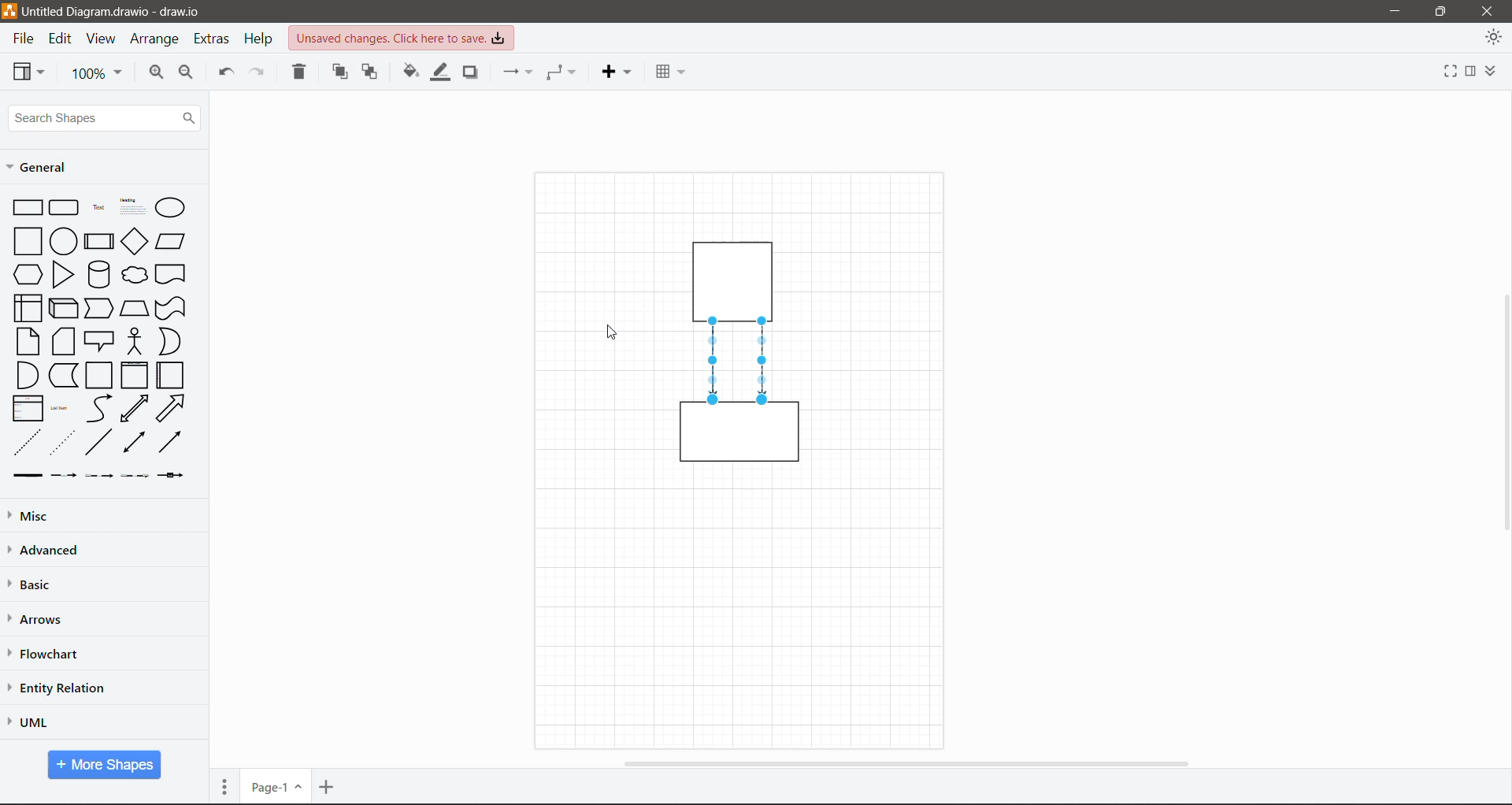  Describe the element at coordinates (187, 75) in the screenshot. I see `Zoom Out` at that location.